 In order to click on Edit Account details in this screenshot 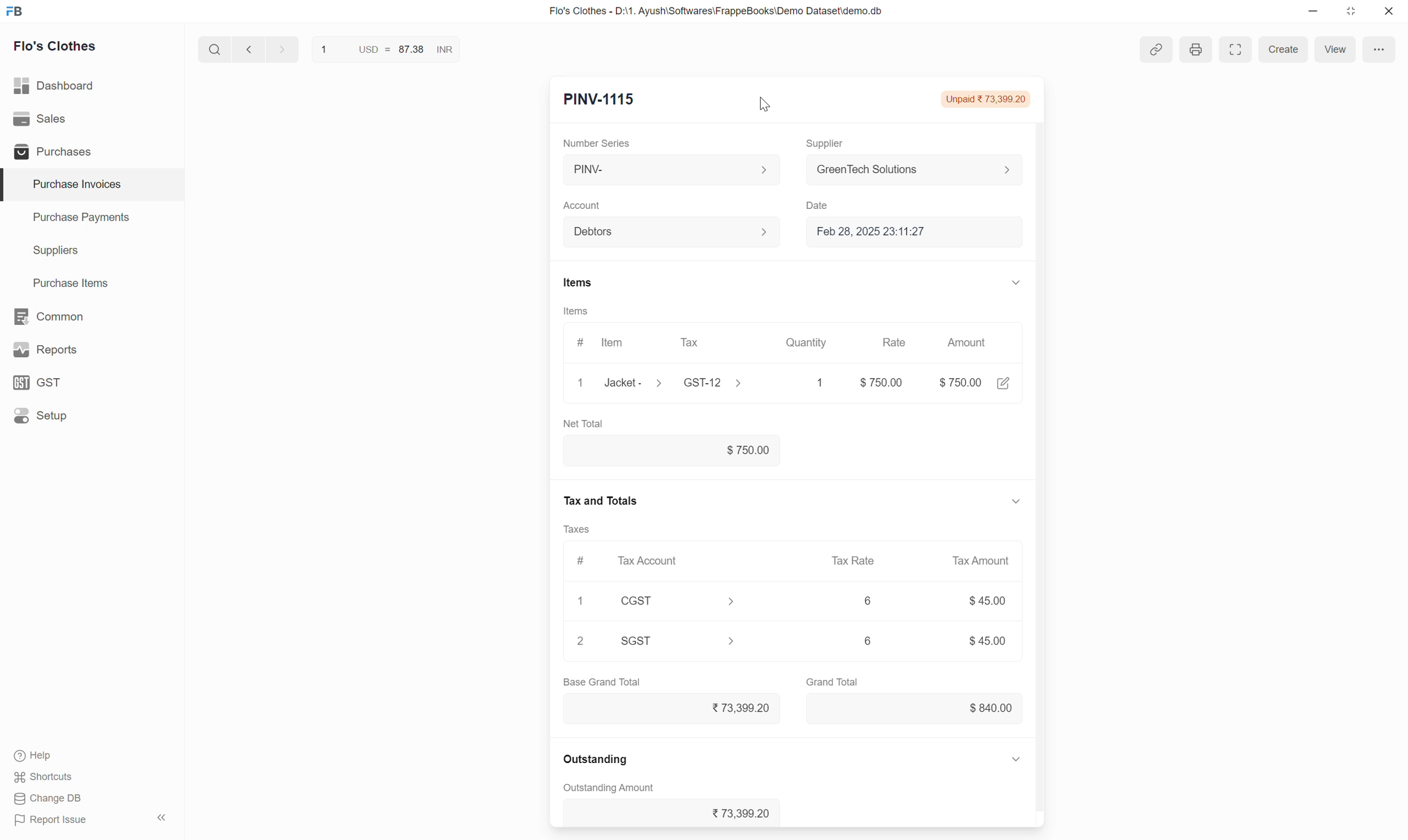, I will do `click(764, 232)`.